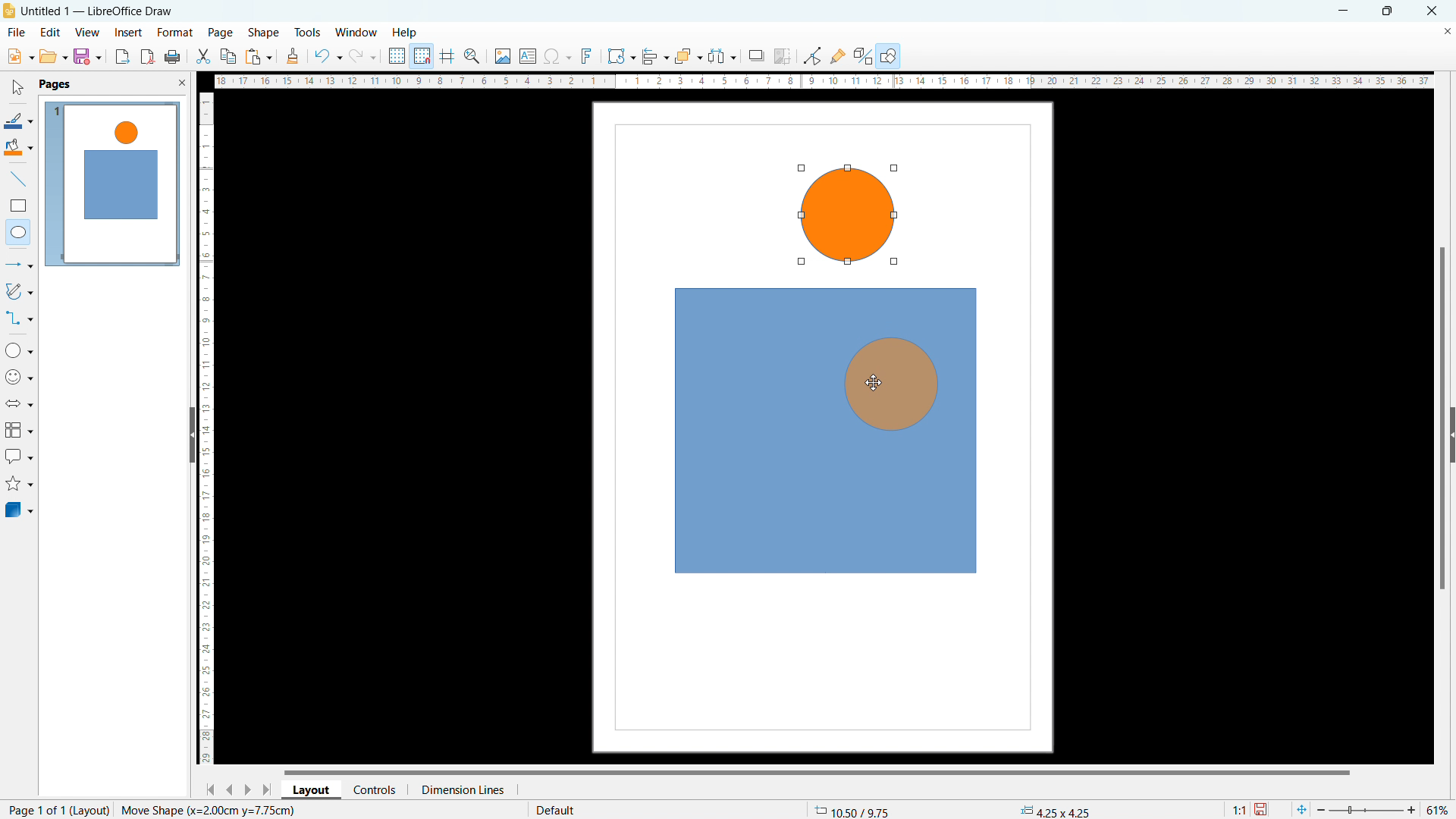 This screenshot has height=819, width=1456. Describe the element at coordinates (1054, 810) in the screenshot. I see `dimension changed` at that location.